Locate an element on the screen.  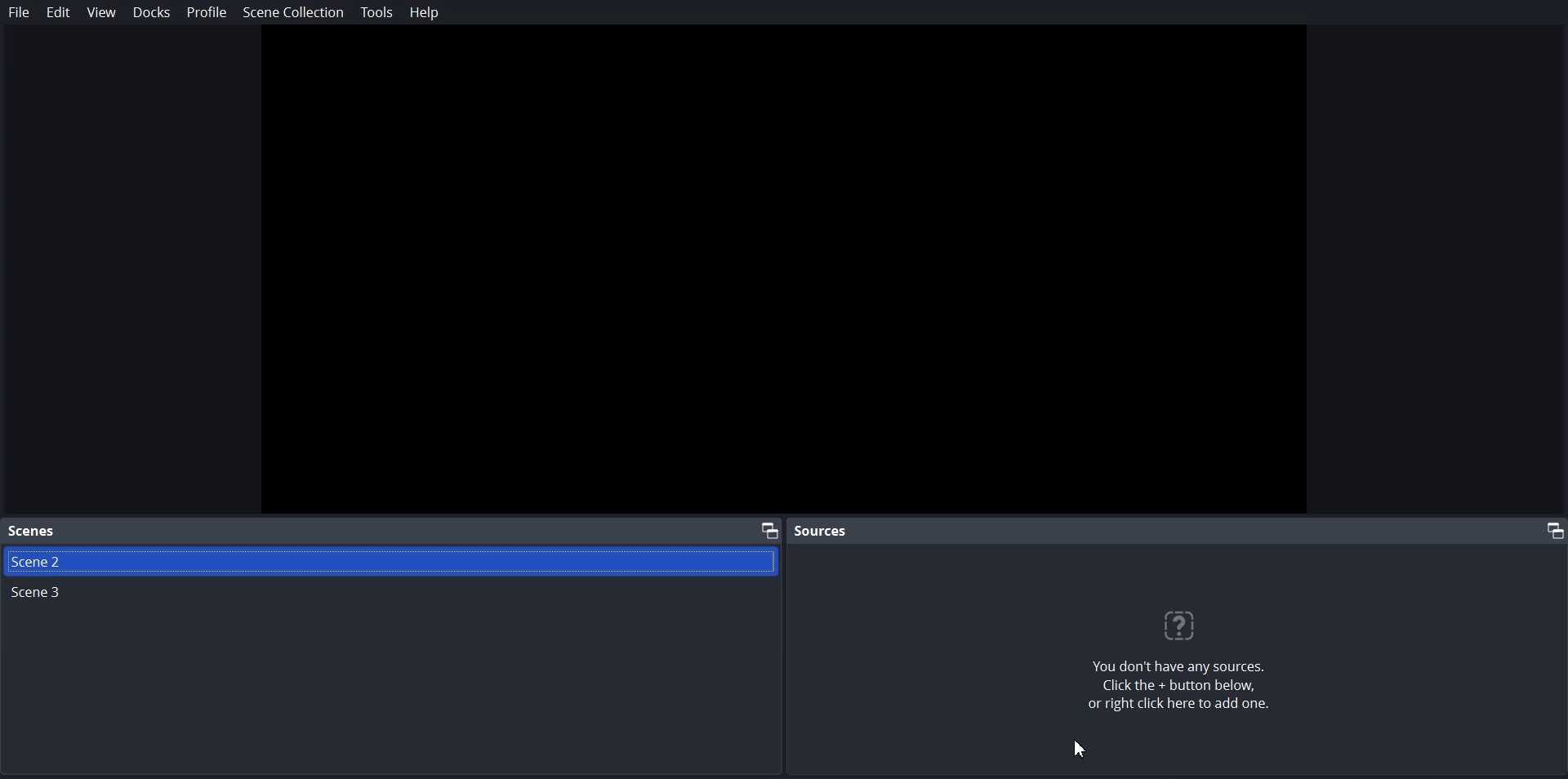
Docks is located at coordinates (151, 12).